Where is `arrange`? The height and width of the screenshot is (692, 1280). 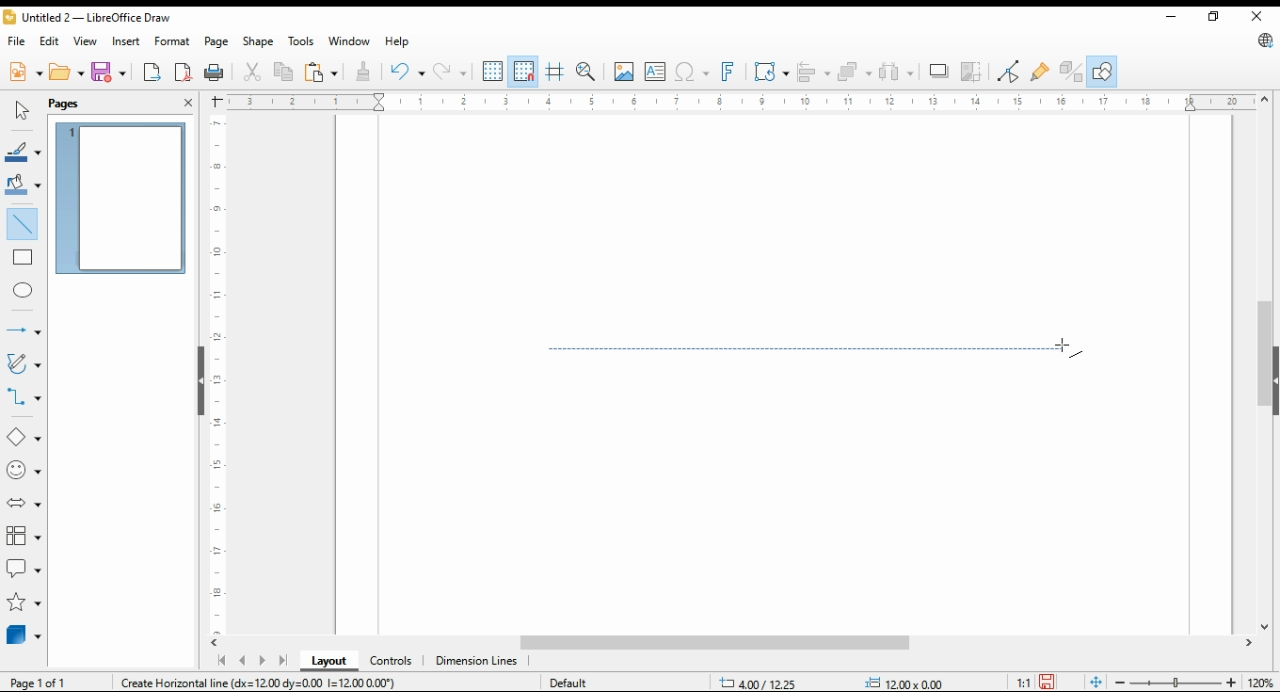 arrange is located at coordinates (852, 70).